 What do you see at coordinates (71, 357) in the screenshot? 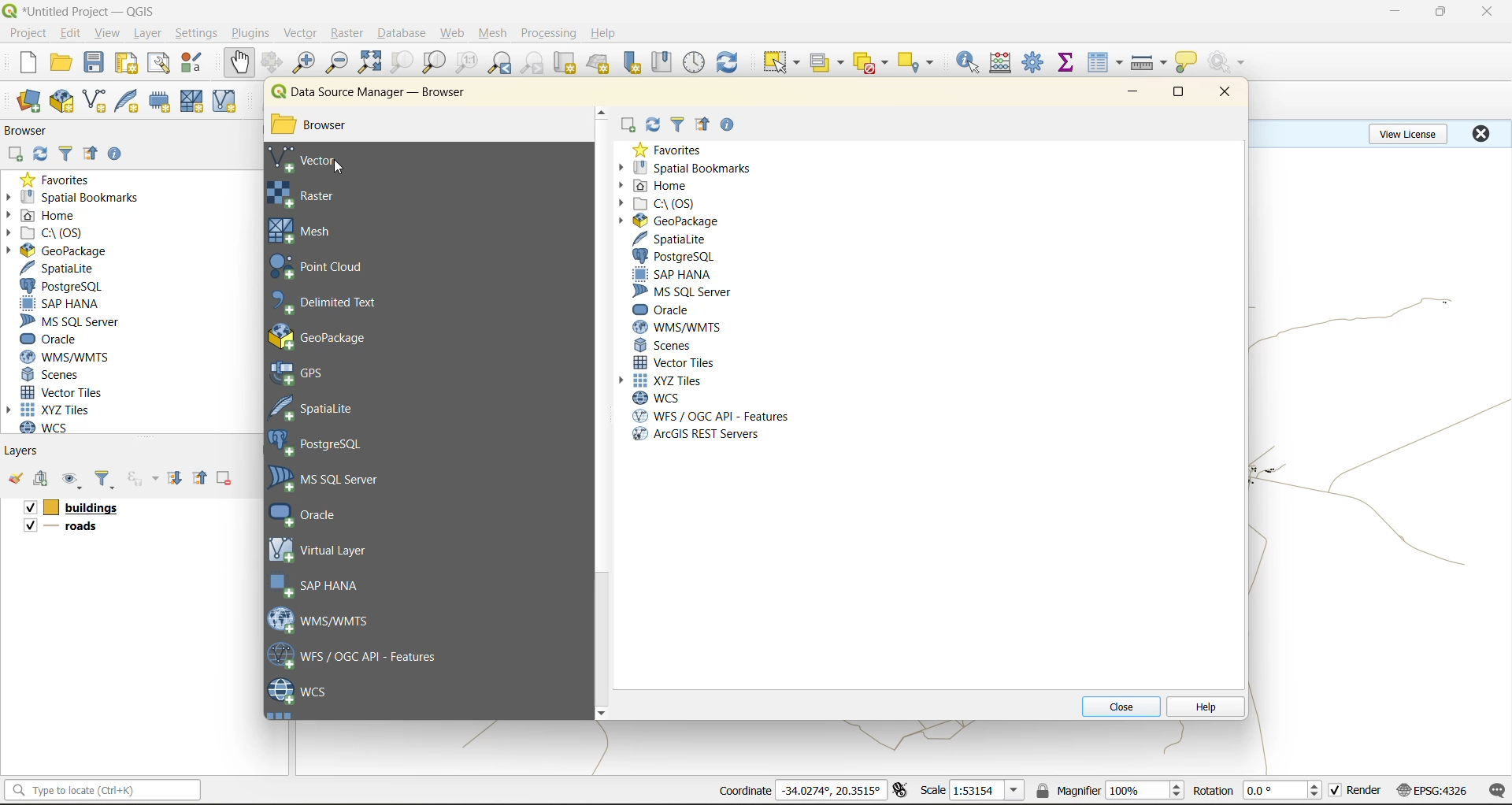
I see `wms/wmts` at bounding box center [71, 357].